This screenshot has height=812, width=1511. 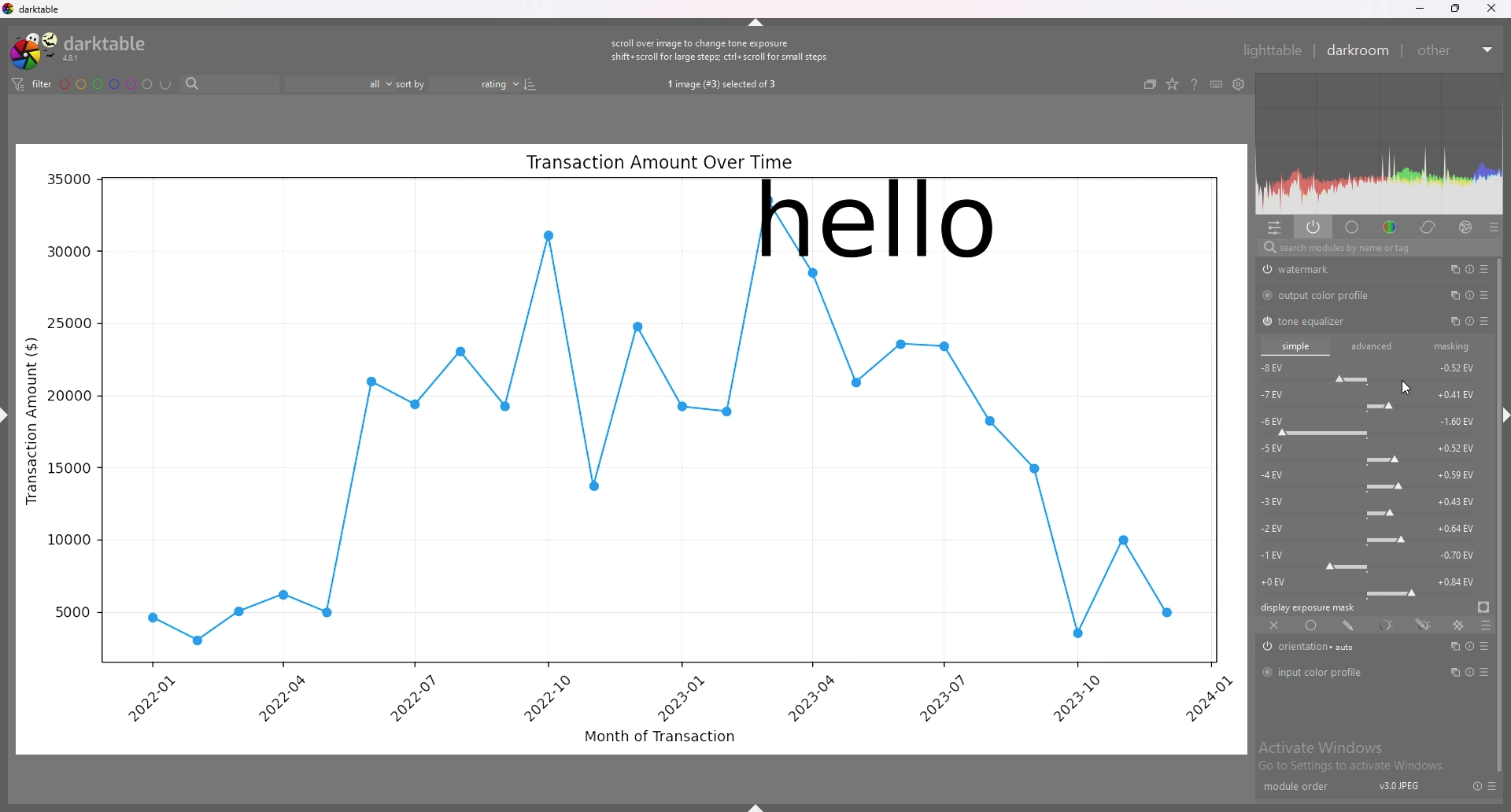 What do you see at coordinates (1372, 585) in the screenshot?
I see `-0 EV force` at bounding box center [1372, 585].